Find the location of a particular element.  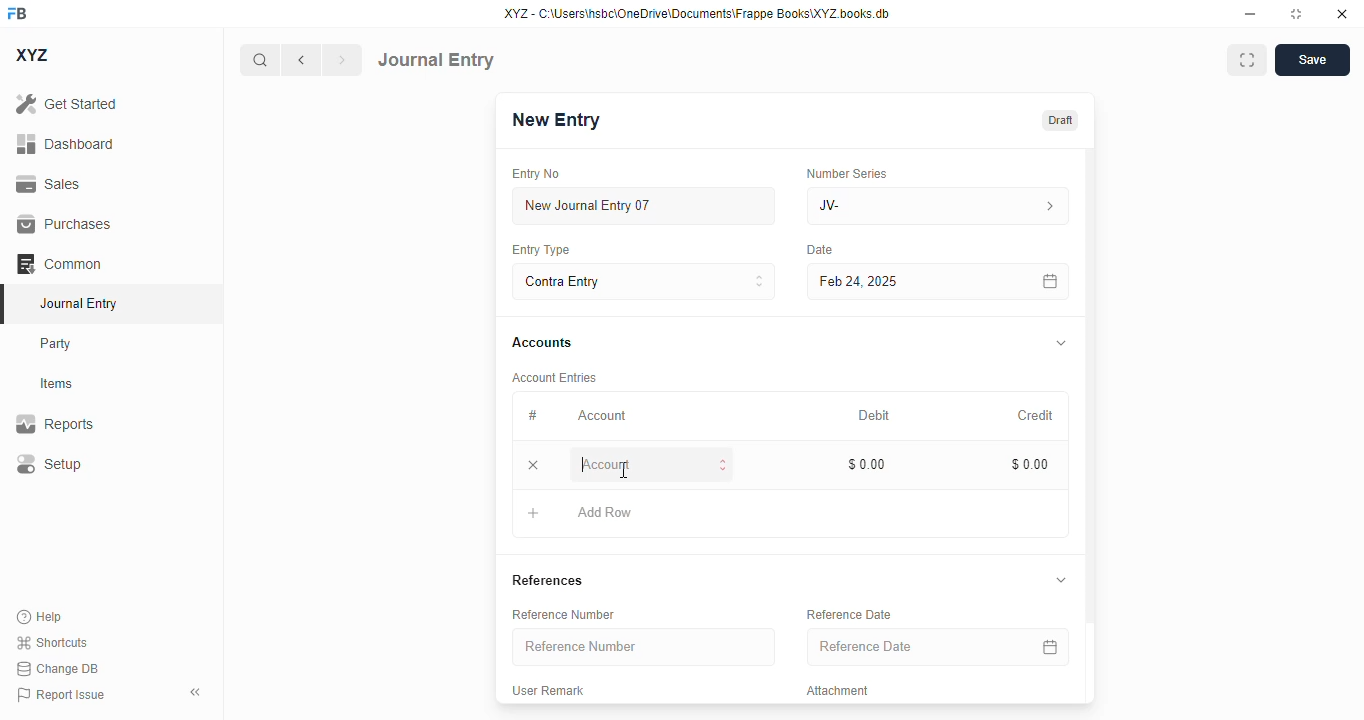

$0.00 is located at coordinates (1032, 464).